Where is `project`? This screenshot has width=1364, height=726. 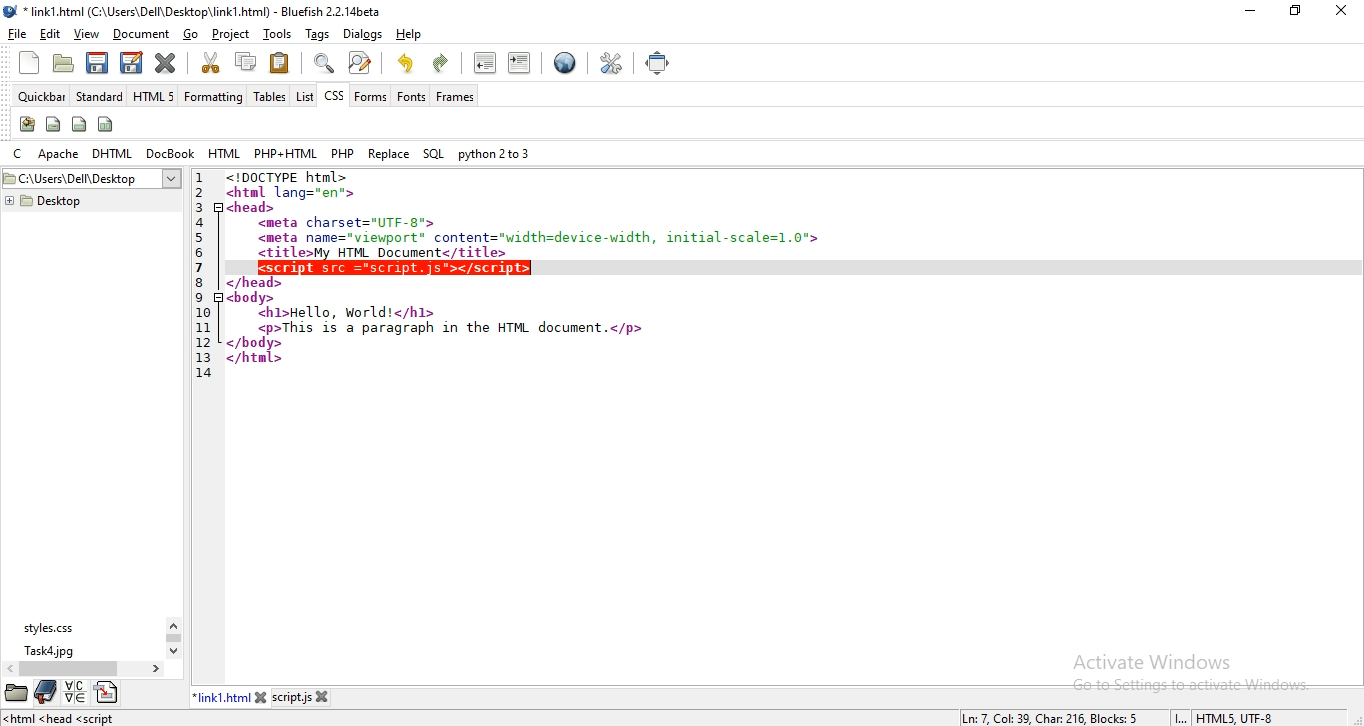 project is located at coordinates (231, 34).